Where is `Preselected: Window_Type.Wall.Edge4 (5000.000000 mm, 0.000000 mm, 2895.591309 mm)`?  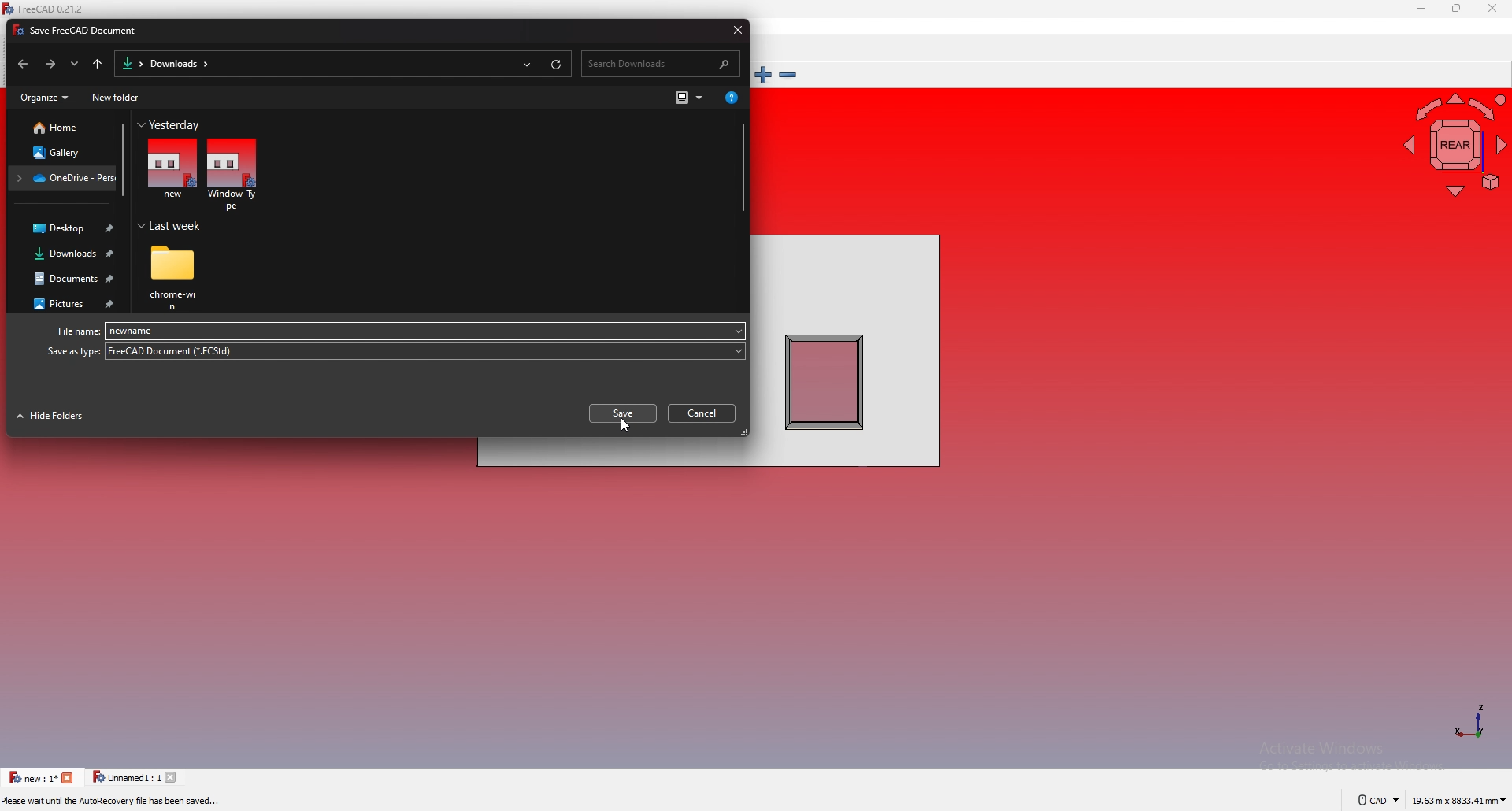
Preselected: Window_Type.Wall.Edge4 (5000.000000 mm, 0.000000 mm, 2895.591309 mm) is located at coordinates (181, 802).